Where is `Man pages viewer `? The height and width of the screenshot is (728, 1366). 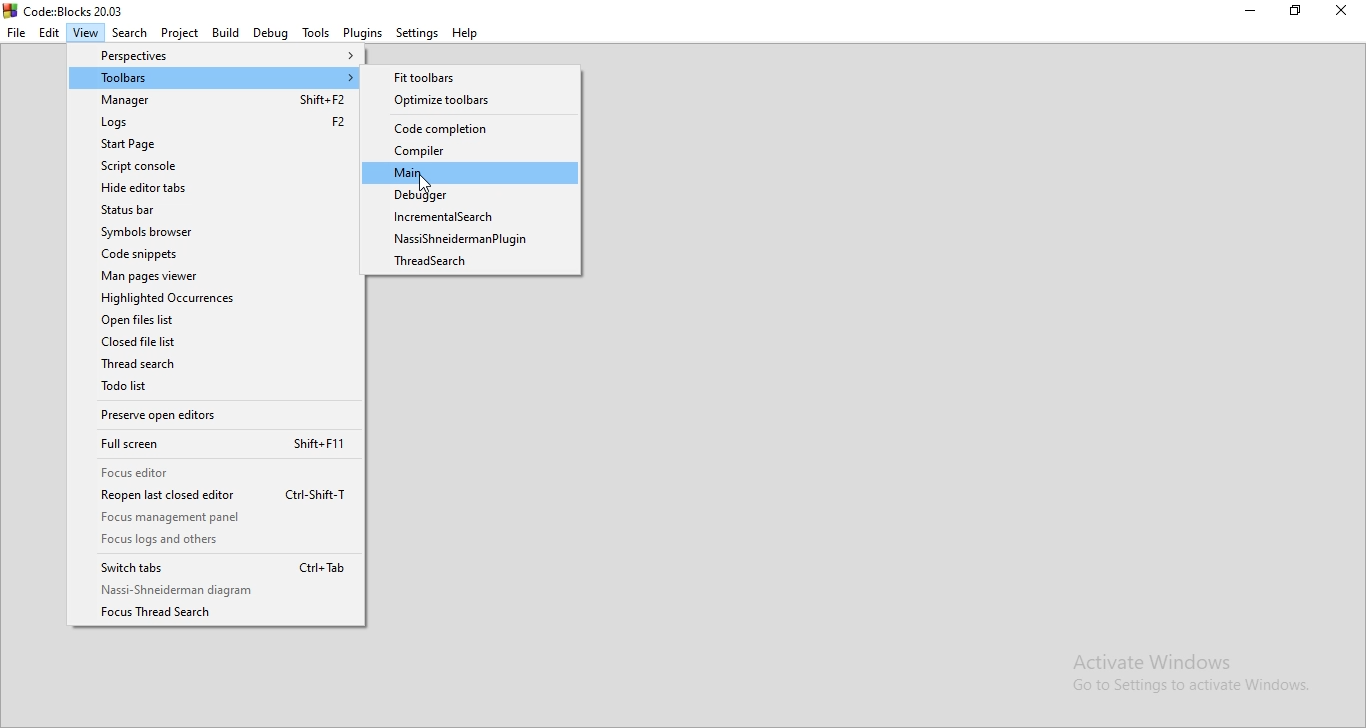
Man pages viewer  is located at coordinates (216, 277).